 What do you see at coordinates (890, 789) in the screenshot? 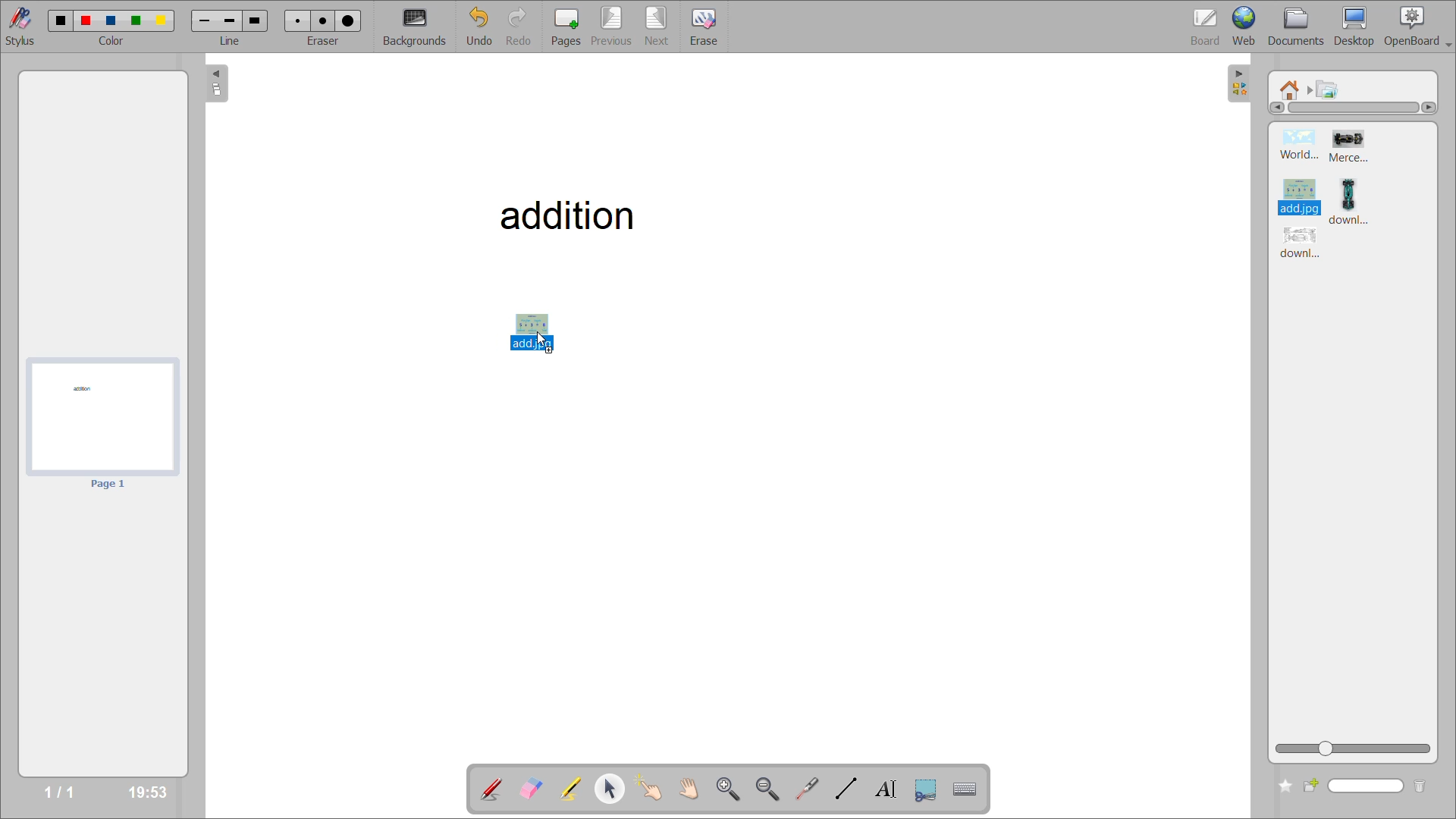
I see `write text` at bounding box center [890, 789].